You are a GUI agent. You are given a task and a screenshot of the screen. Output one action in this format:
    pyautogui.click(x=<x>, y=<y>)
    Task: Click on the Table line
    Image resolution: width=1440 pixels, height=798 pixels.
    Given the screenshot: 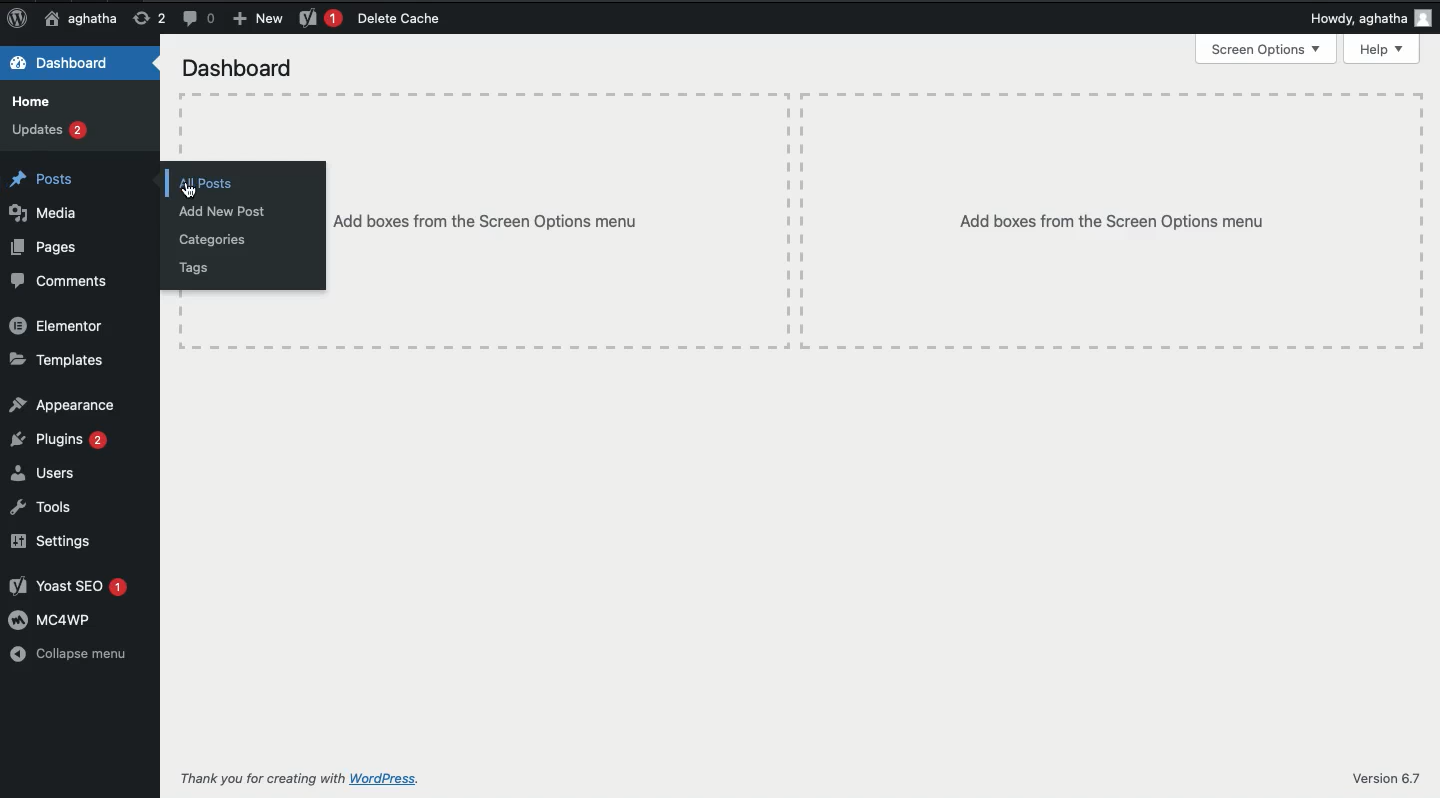 What is the action you would take?
    pyautogui.click(x=803, y=347)
    